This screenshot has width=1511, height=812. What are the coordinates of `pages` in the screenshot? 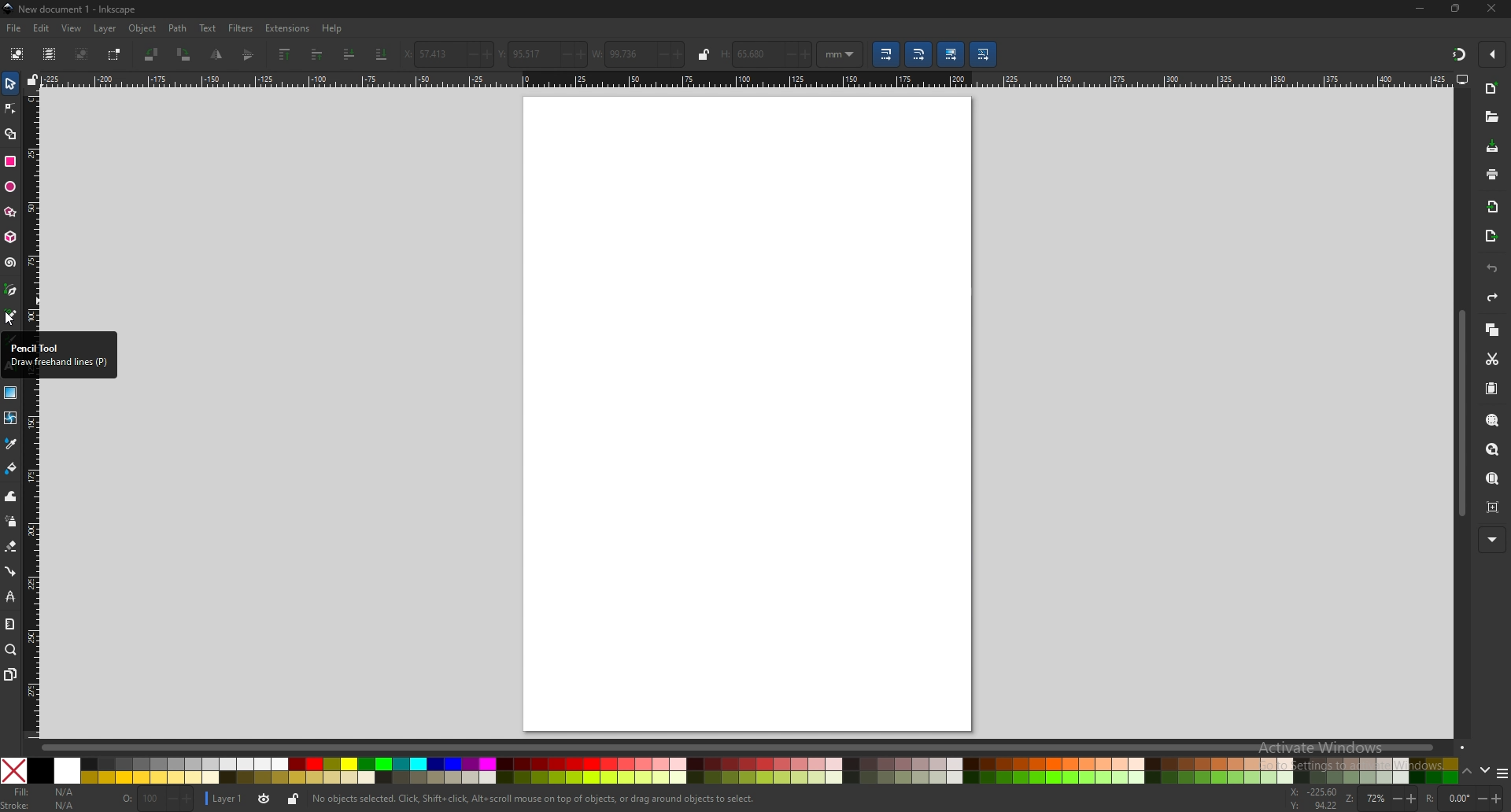 It's located at (9, 674).